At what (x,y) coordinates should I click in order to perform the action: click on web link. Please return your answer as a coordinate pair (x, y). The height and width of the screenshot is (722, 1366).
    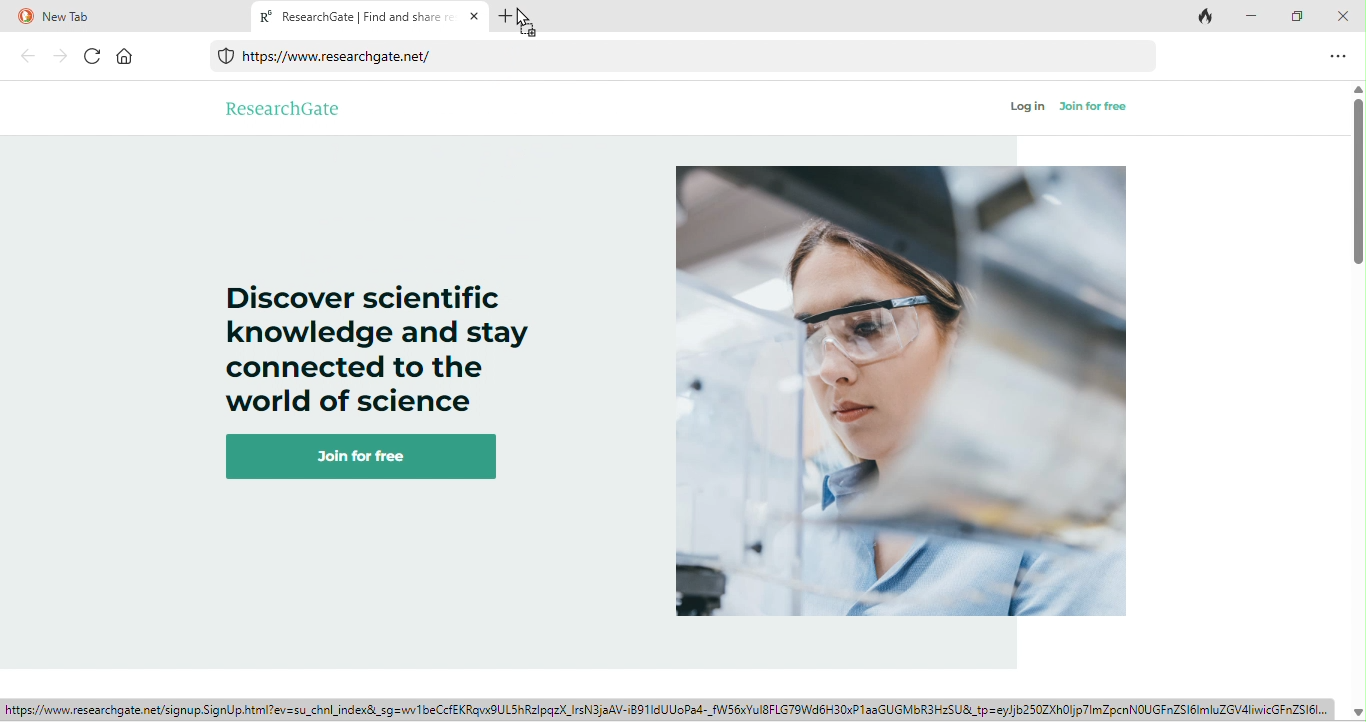
    Looking at the image, I should click on (689, 57).